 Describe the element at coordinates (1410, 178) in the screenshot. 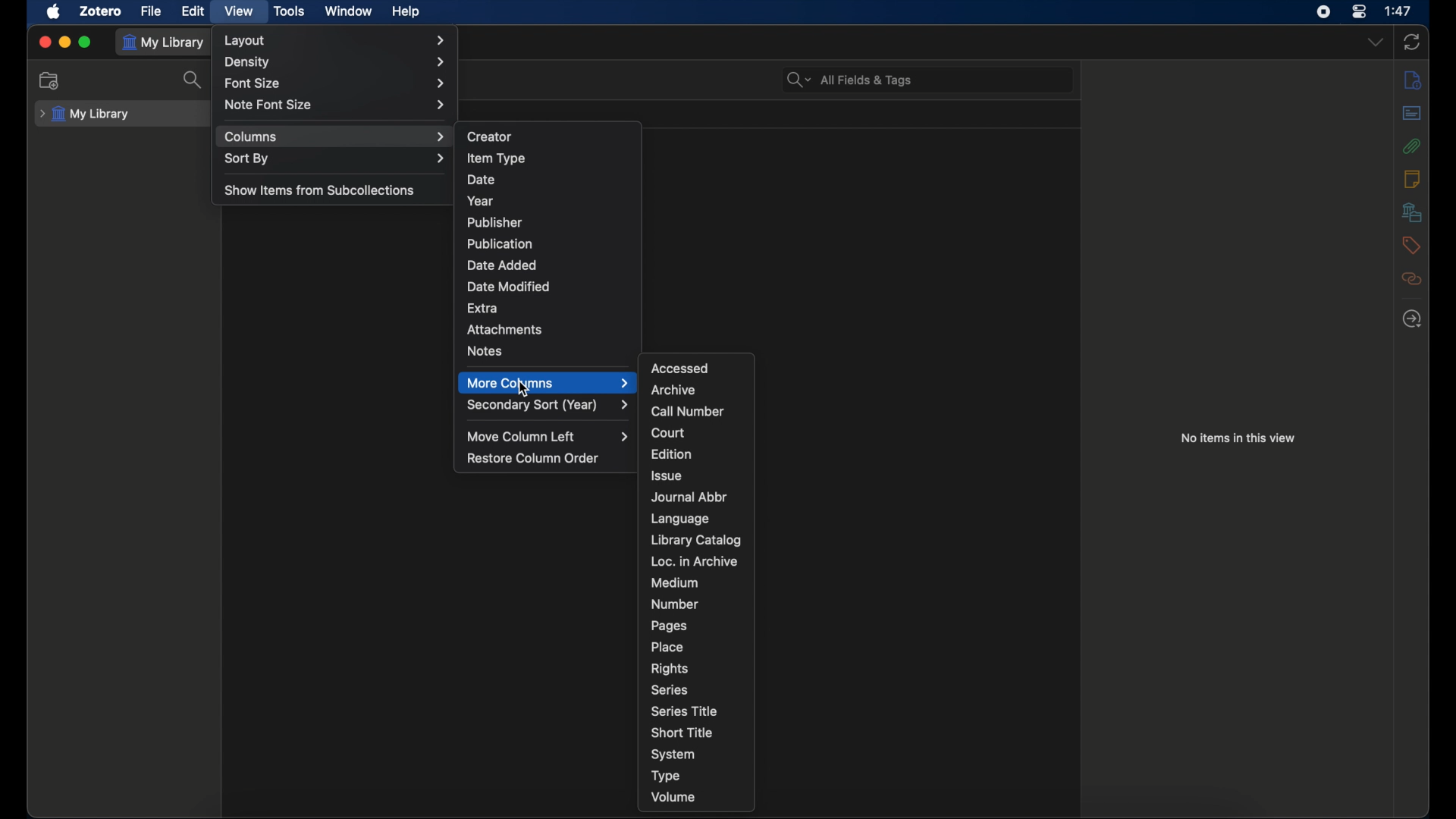

I see `notes` at that location.